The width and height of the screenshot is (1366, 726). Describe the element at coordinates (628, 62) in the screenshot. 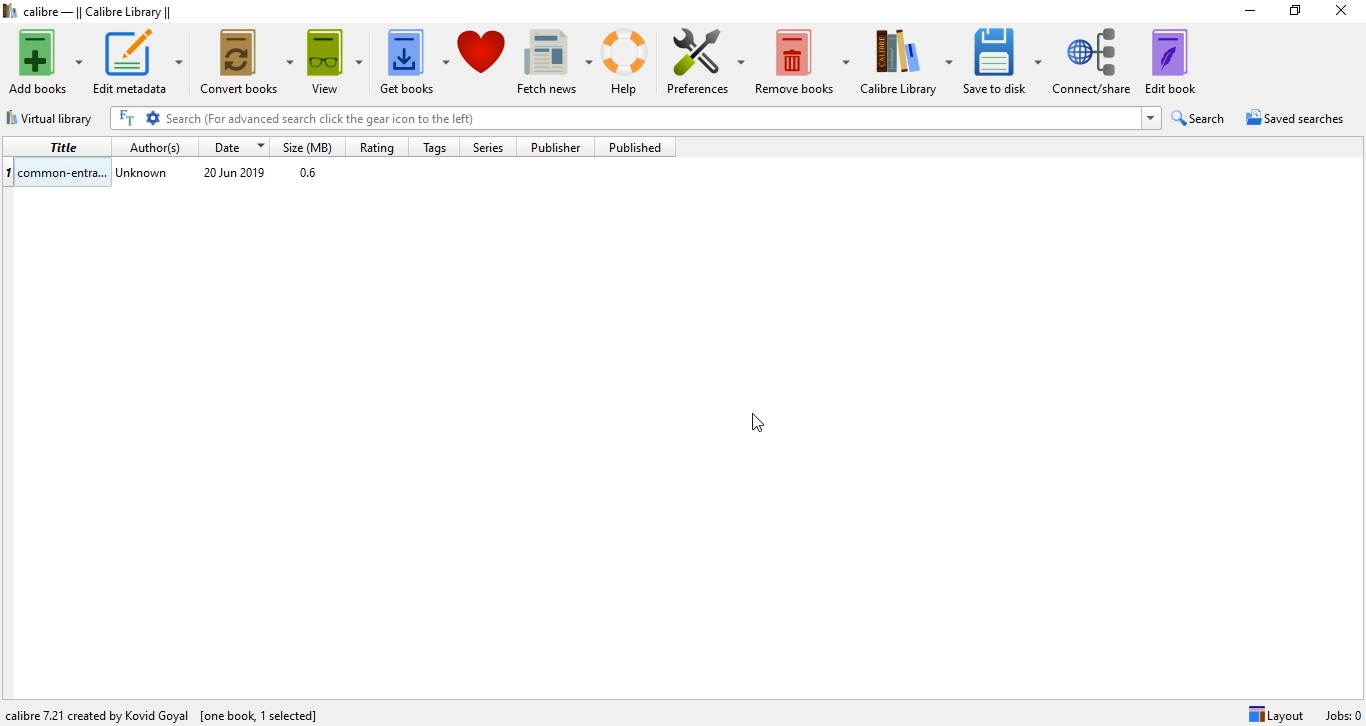

I see `Help` at that location.